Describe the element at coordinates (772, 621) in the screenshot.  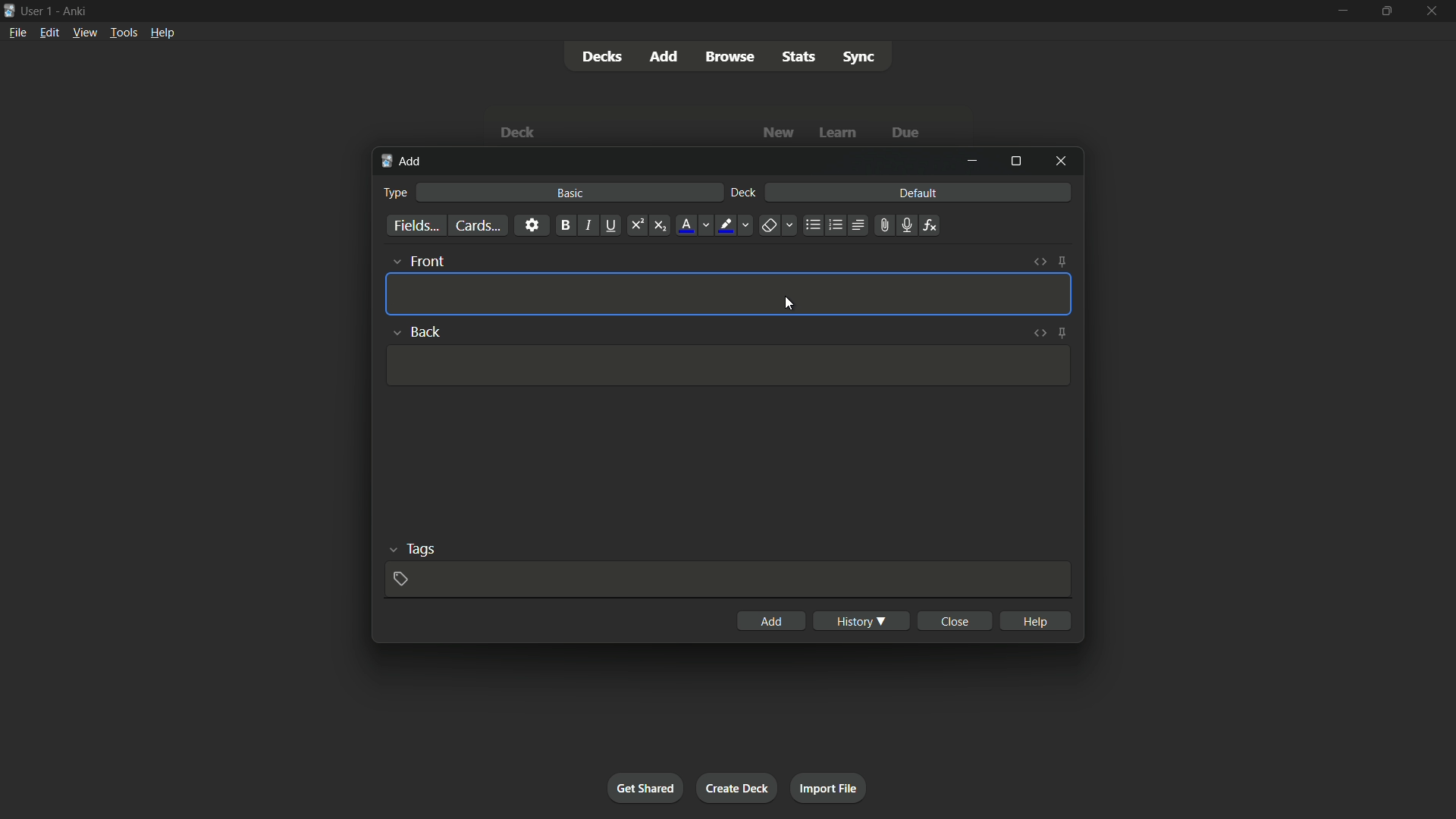
I see `add` at that location.